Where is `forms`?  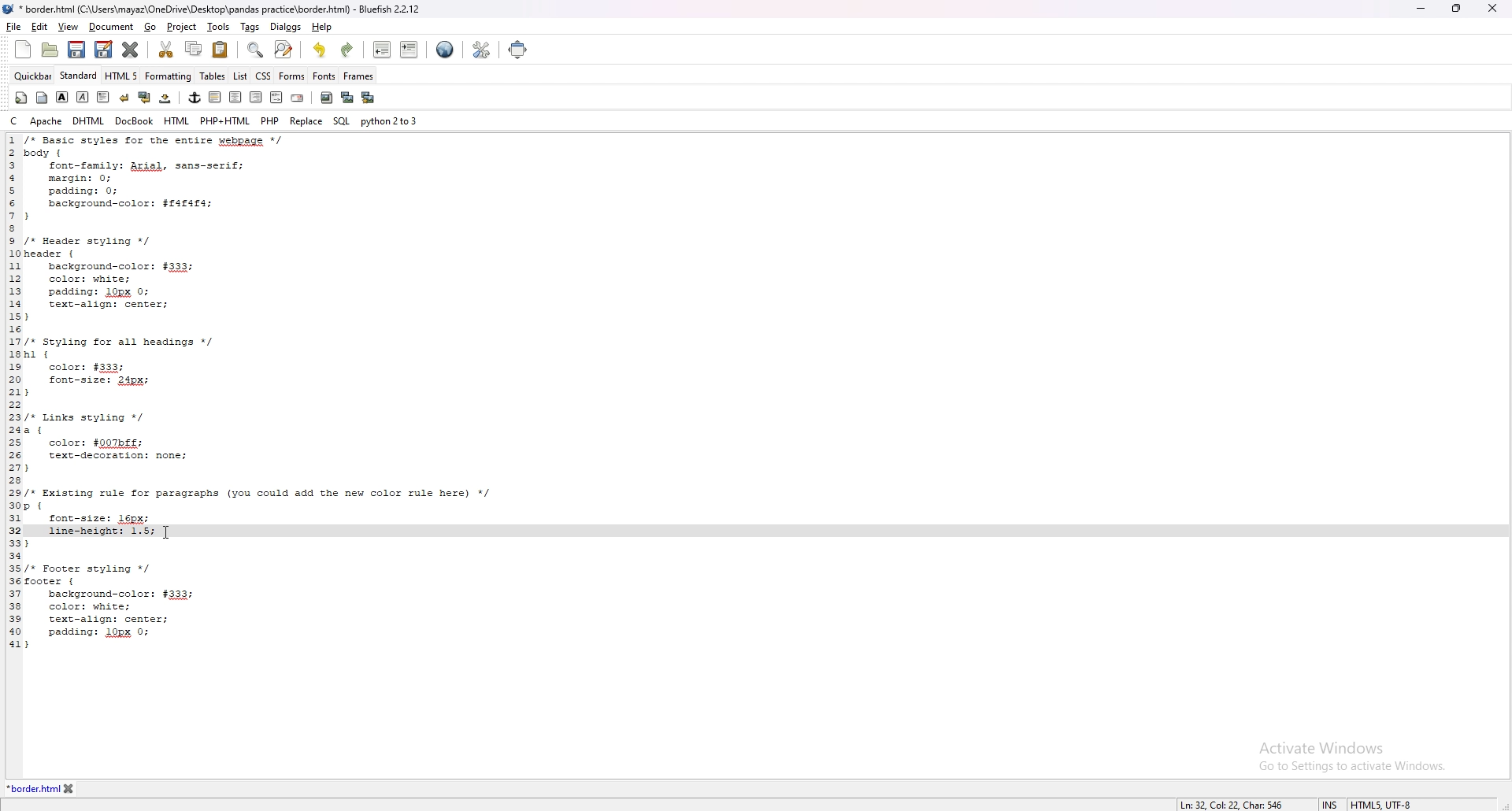 forms is located at coordinates (291, 77).